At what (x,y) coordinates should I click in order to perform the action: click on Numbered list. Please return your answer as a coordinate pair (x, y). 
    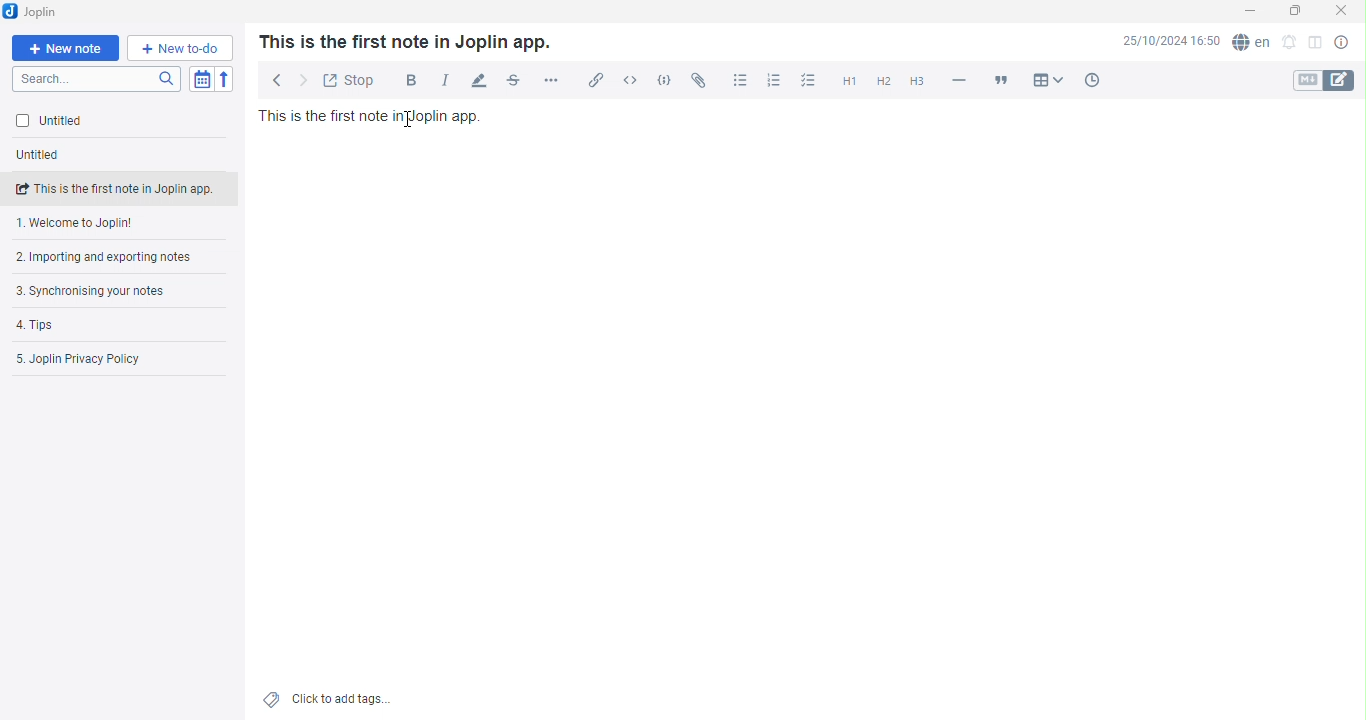
    Looking at the image, I should click on (771, 80).